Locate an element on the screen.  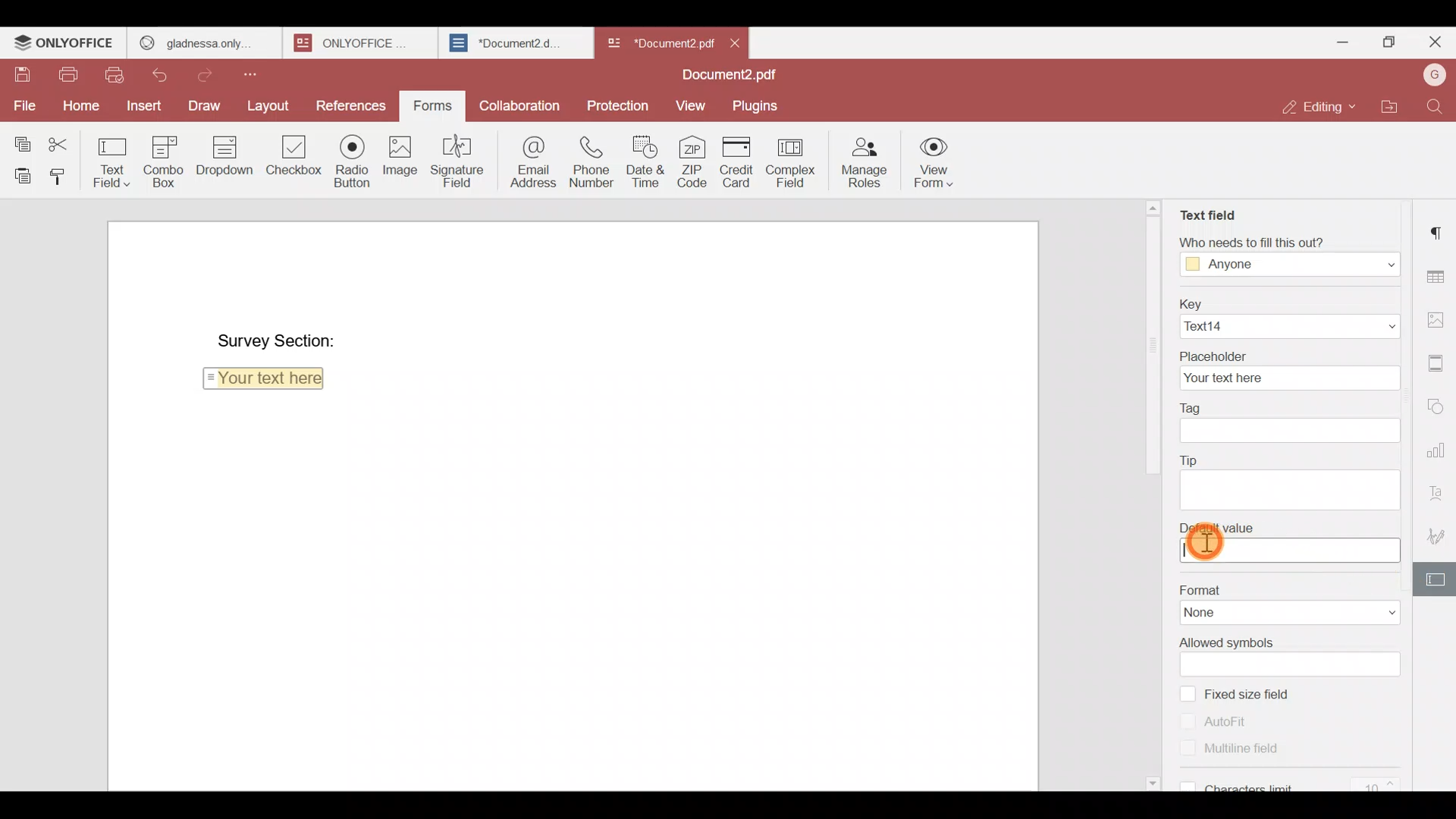
Protection is located at coordinates (619, 104).